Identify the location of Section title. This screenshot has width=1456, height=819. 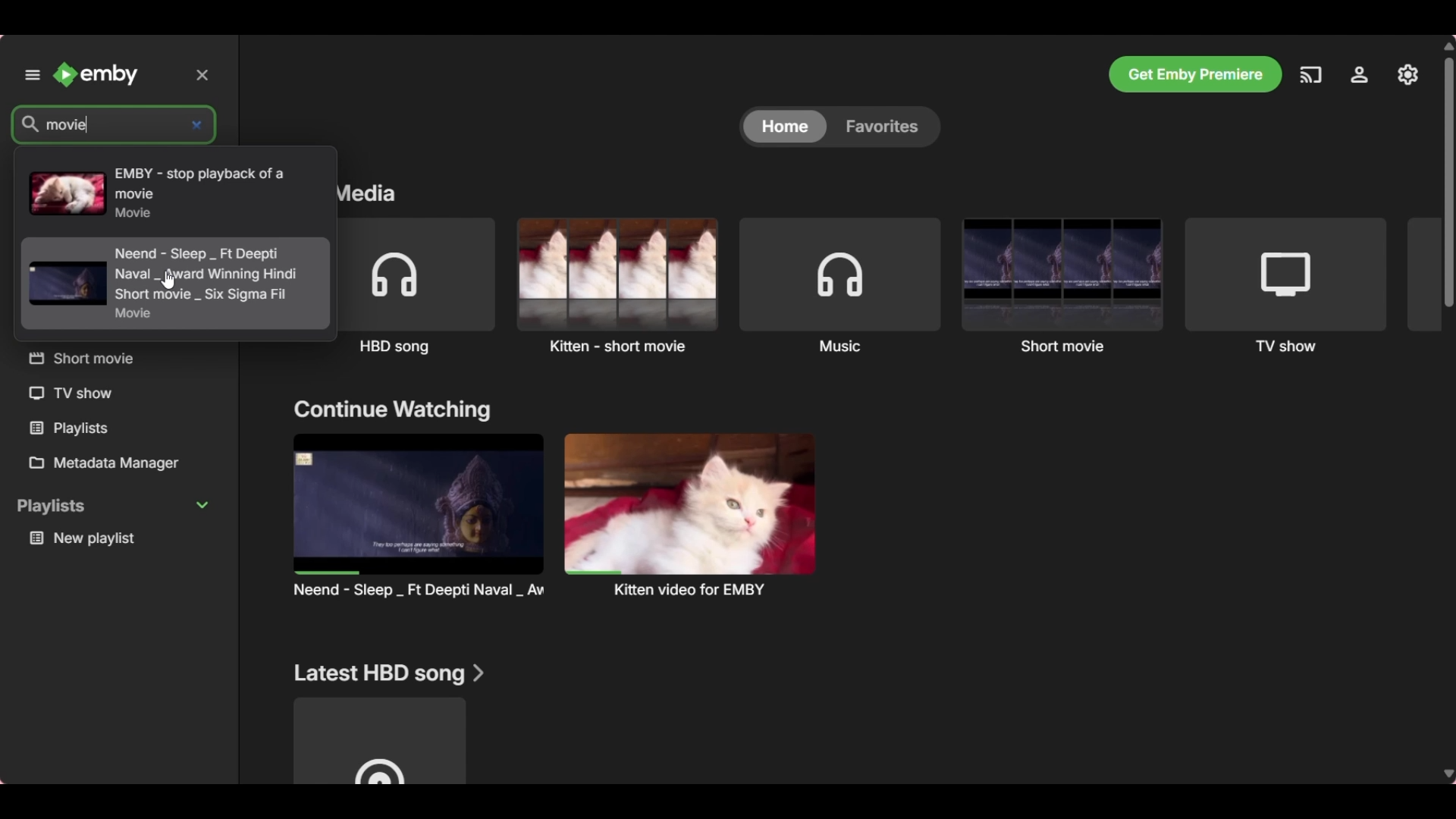
(393, 408).